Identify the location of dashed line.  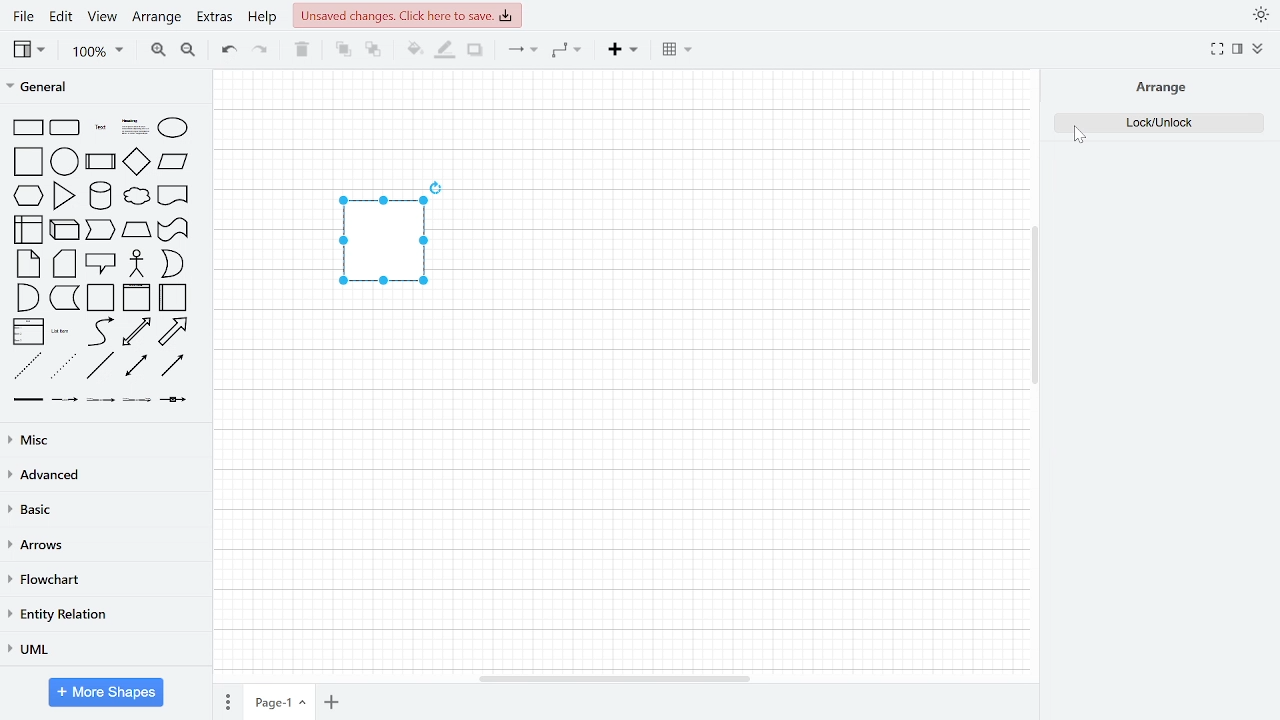
(23, 366).